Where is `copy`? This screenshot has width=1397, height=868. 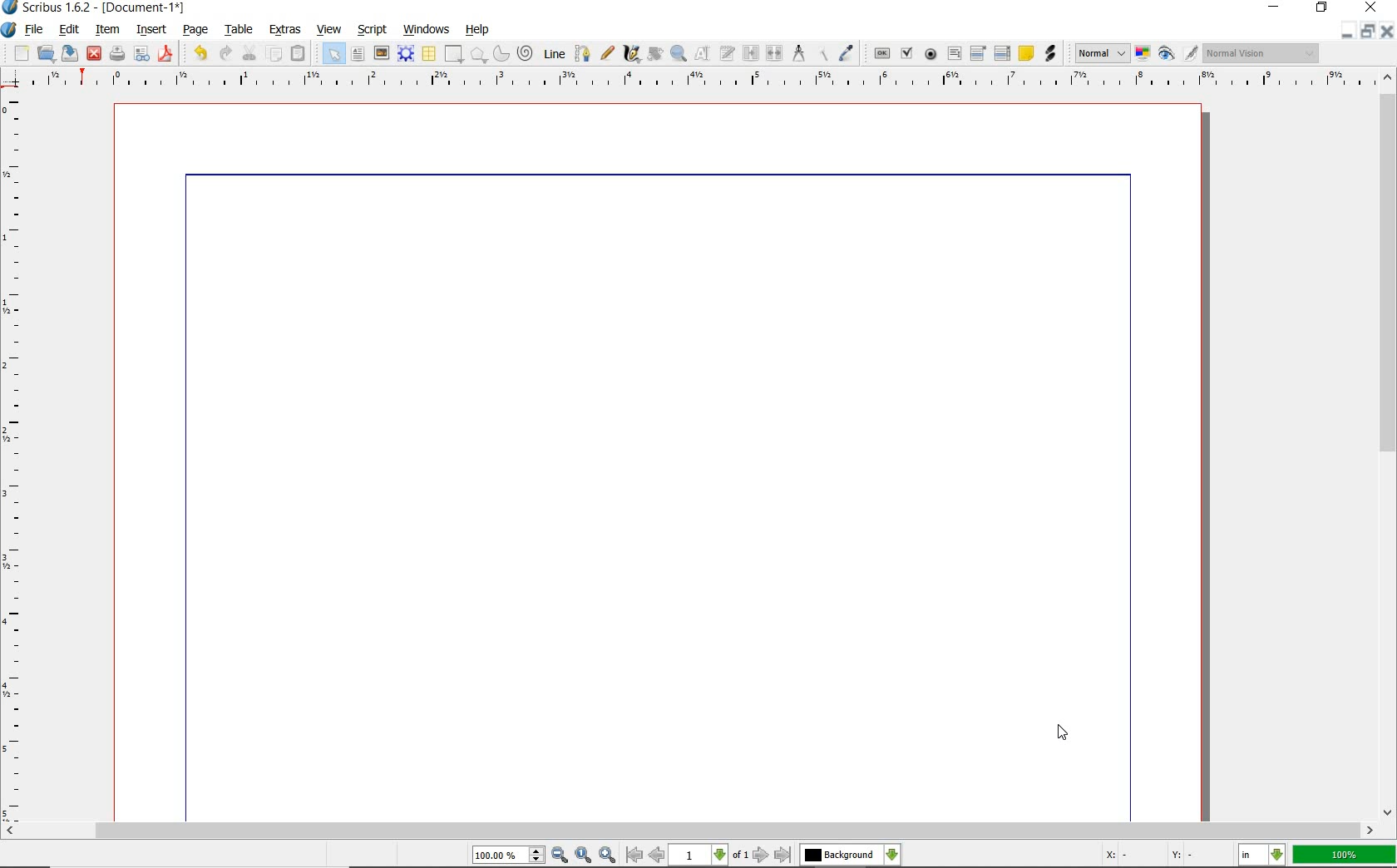 copy is located at coordinates (274, 53).